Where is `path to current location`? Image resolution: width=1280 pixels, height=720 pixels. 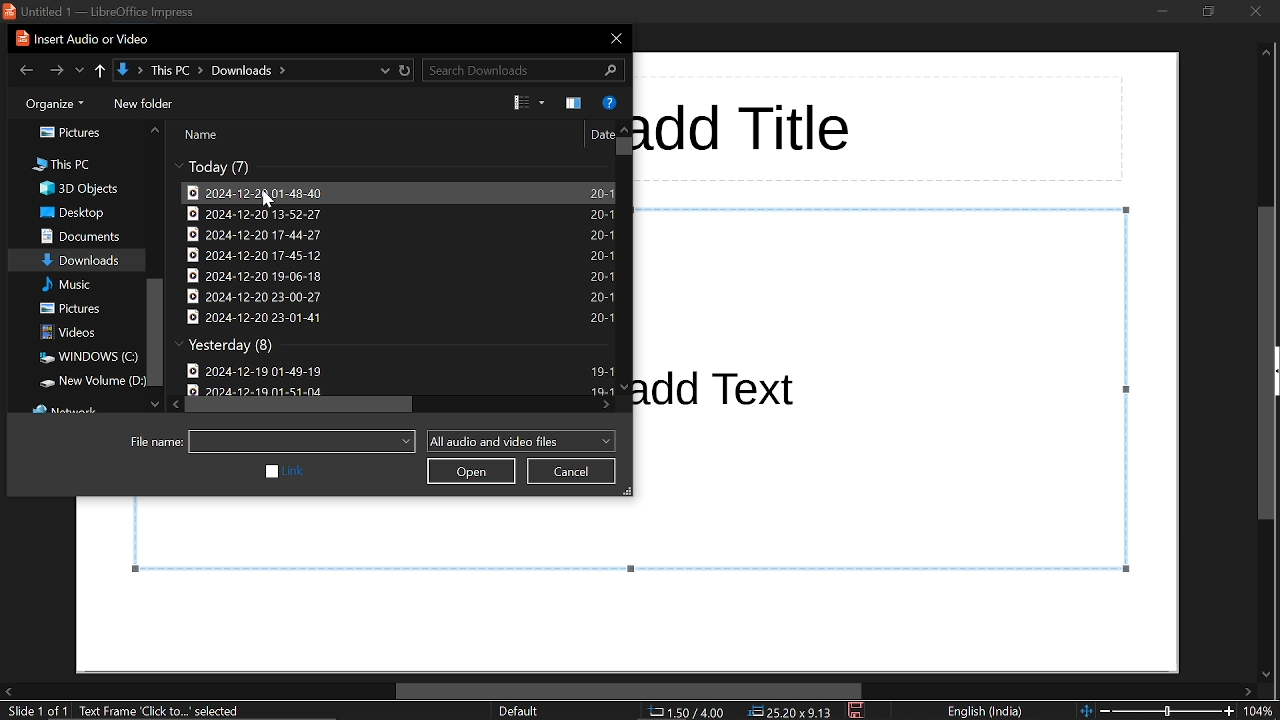 path to current location is located at coordinates (252, 69).